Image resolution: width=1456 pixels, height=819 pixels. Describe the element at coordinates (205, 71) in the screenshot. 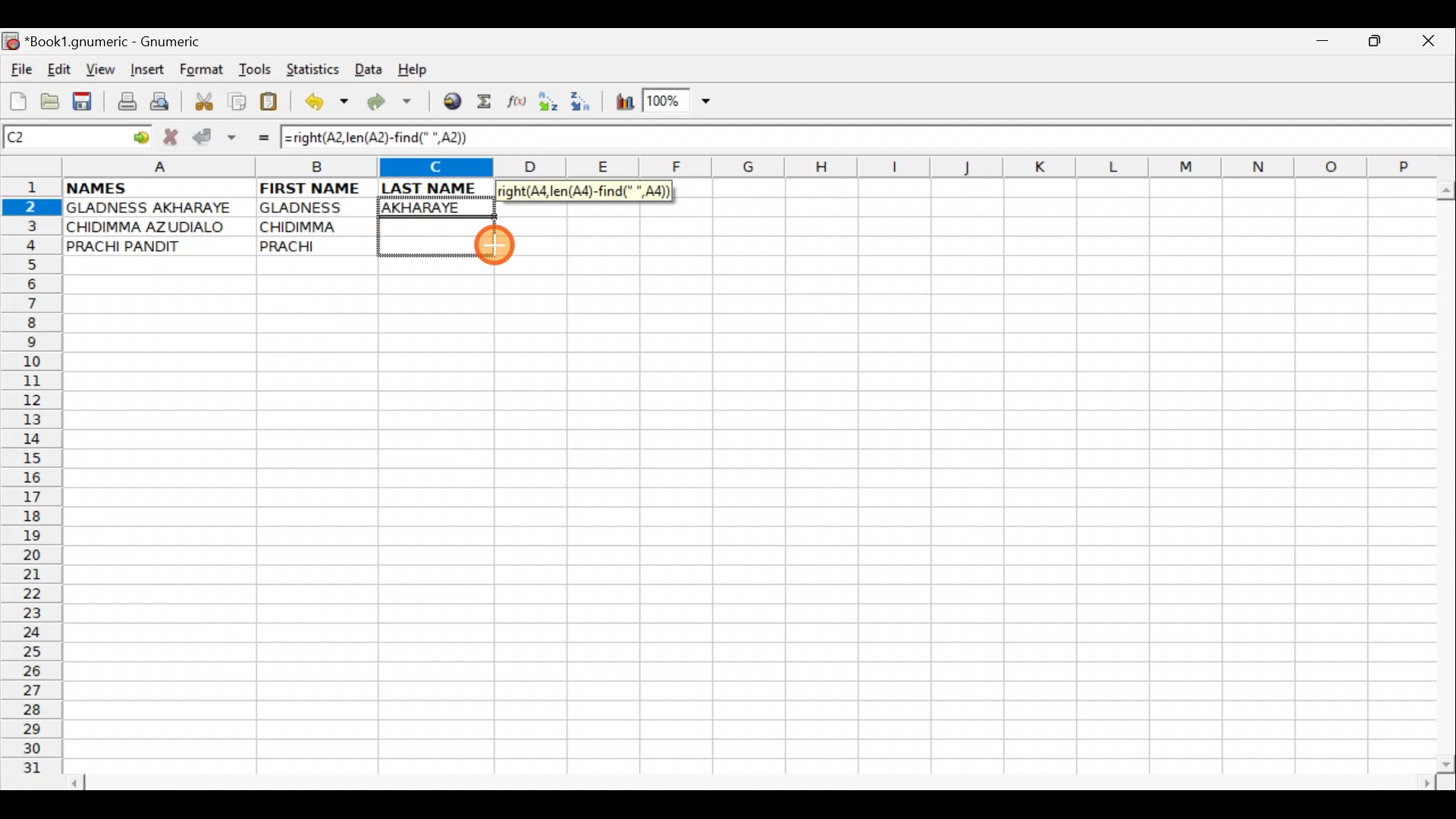

I see `Format` at that location.